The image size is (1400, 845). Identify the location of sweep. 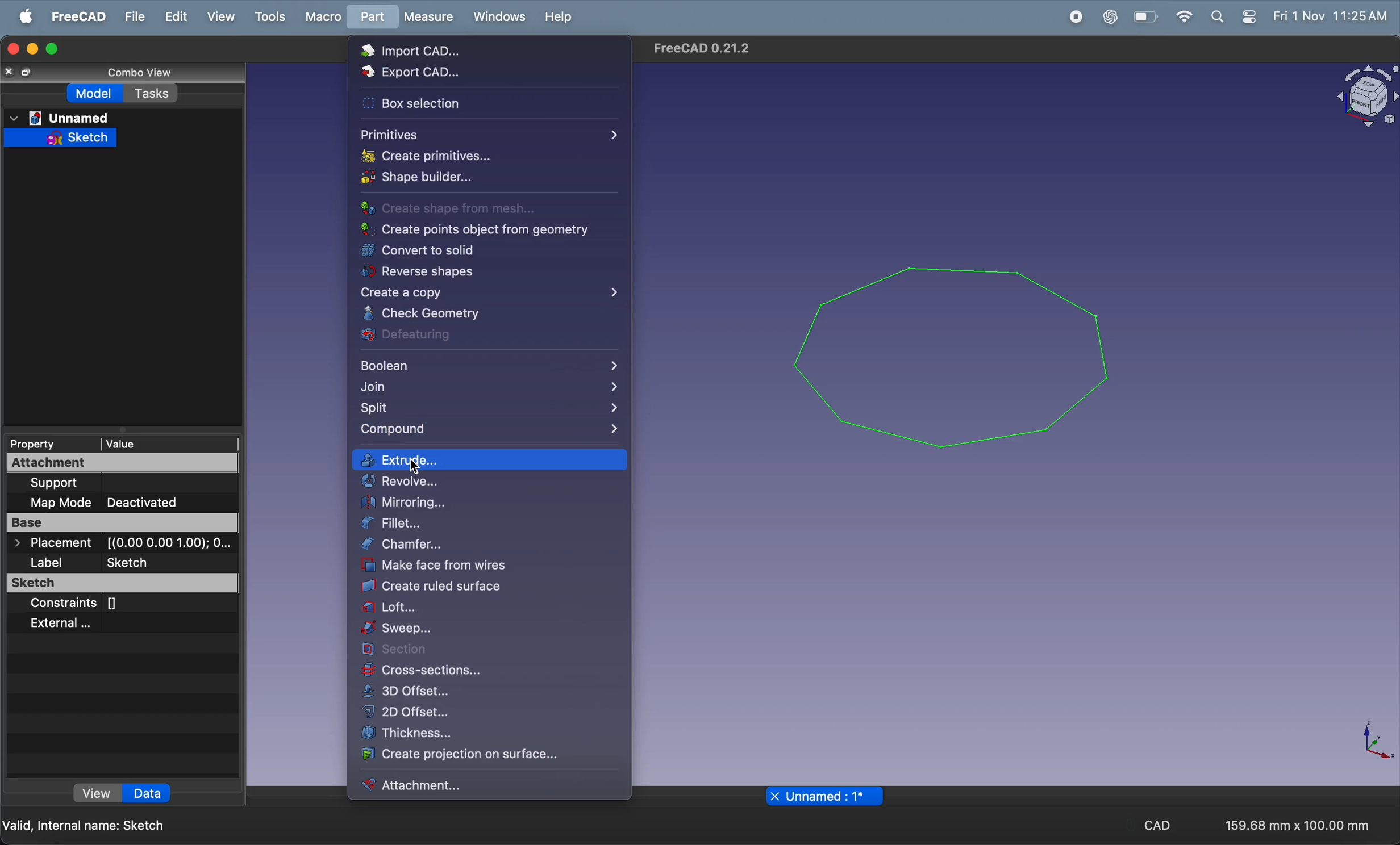
(489, 631).